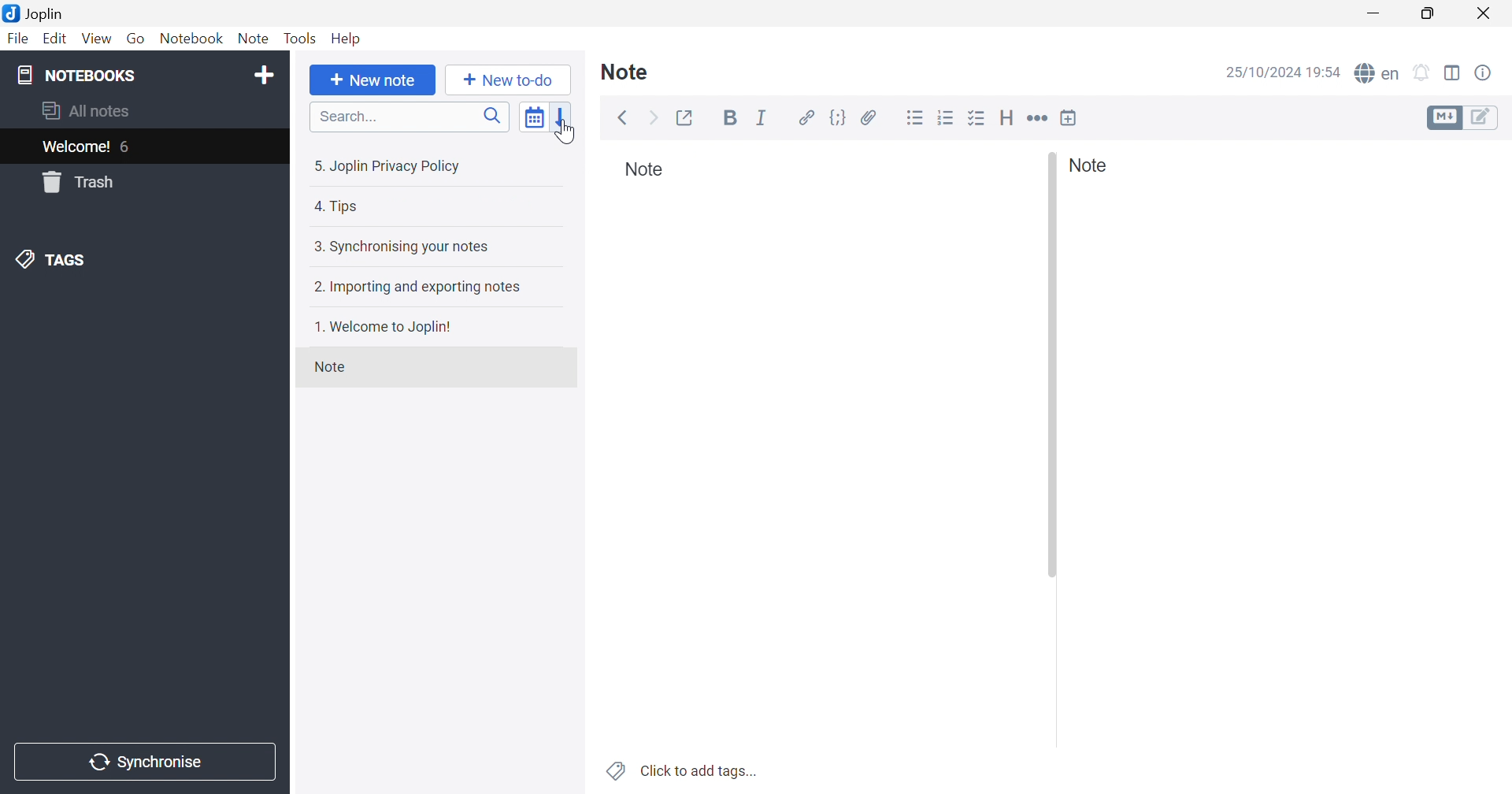 The height and width of the screenshot is (794, 1512). What do you see at coordinates (1484, 117) in the screenshot?
I see `edit` at bounding box center [1484, 117].